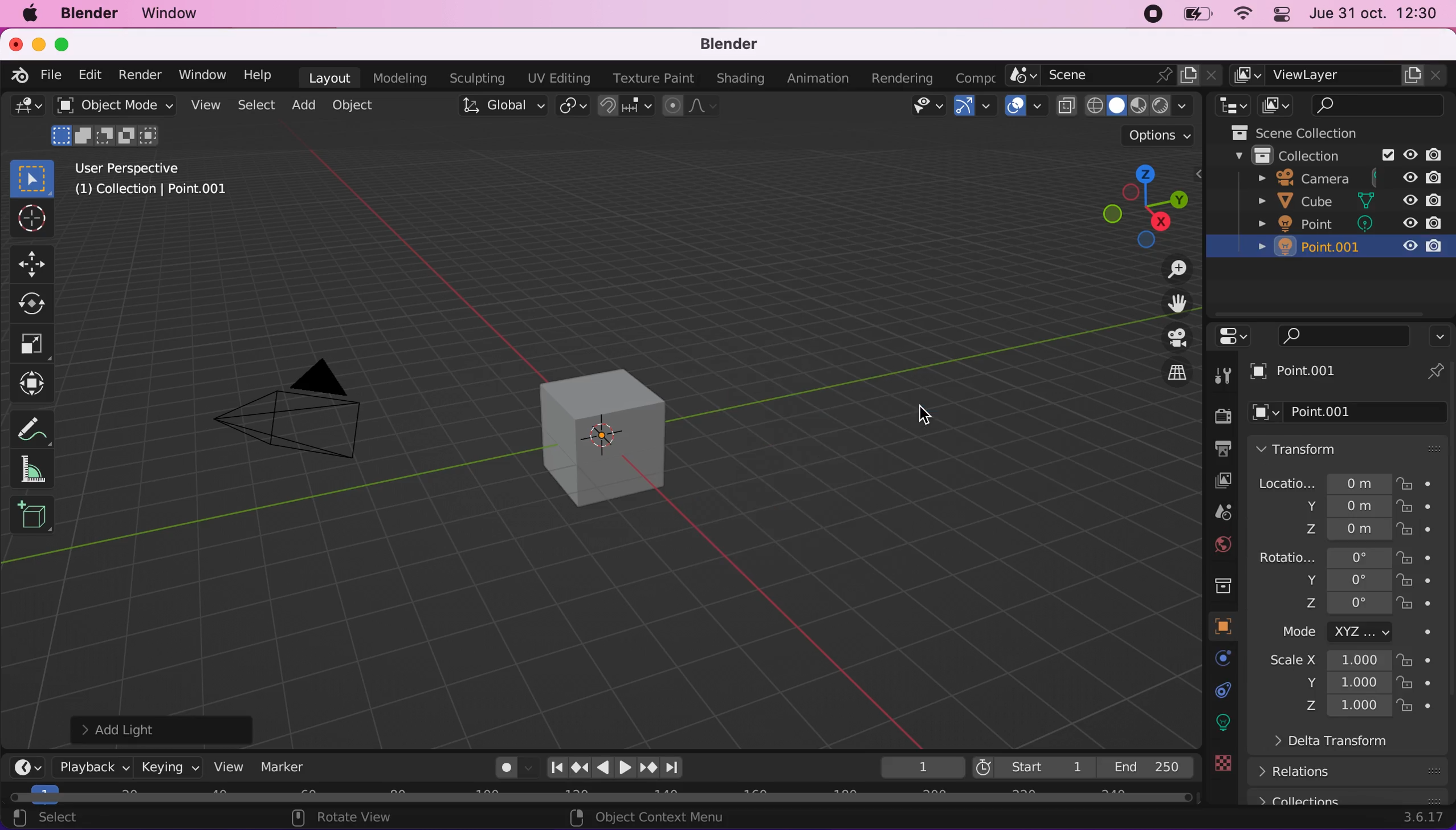 The width and height of the screenshot is (1456, 830). I want to click on collections, so click(1355, 798).